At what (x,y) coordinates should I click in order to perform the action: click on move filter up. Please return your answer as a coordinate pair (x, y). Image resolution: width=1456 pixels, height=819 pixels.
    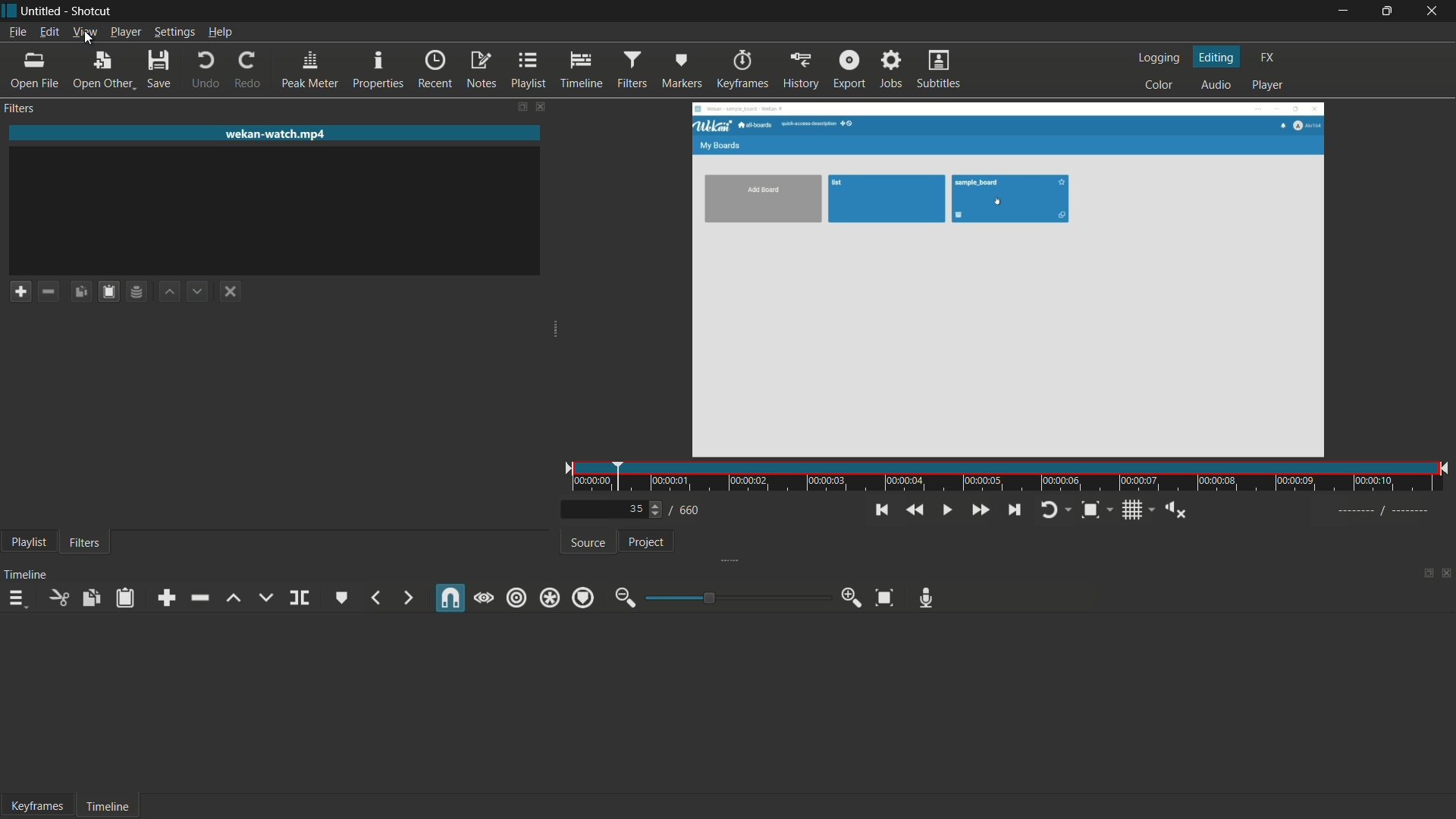
    Looking at the image, I should click on (170, 292).